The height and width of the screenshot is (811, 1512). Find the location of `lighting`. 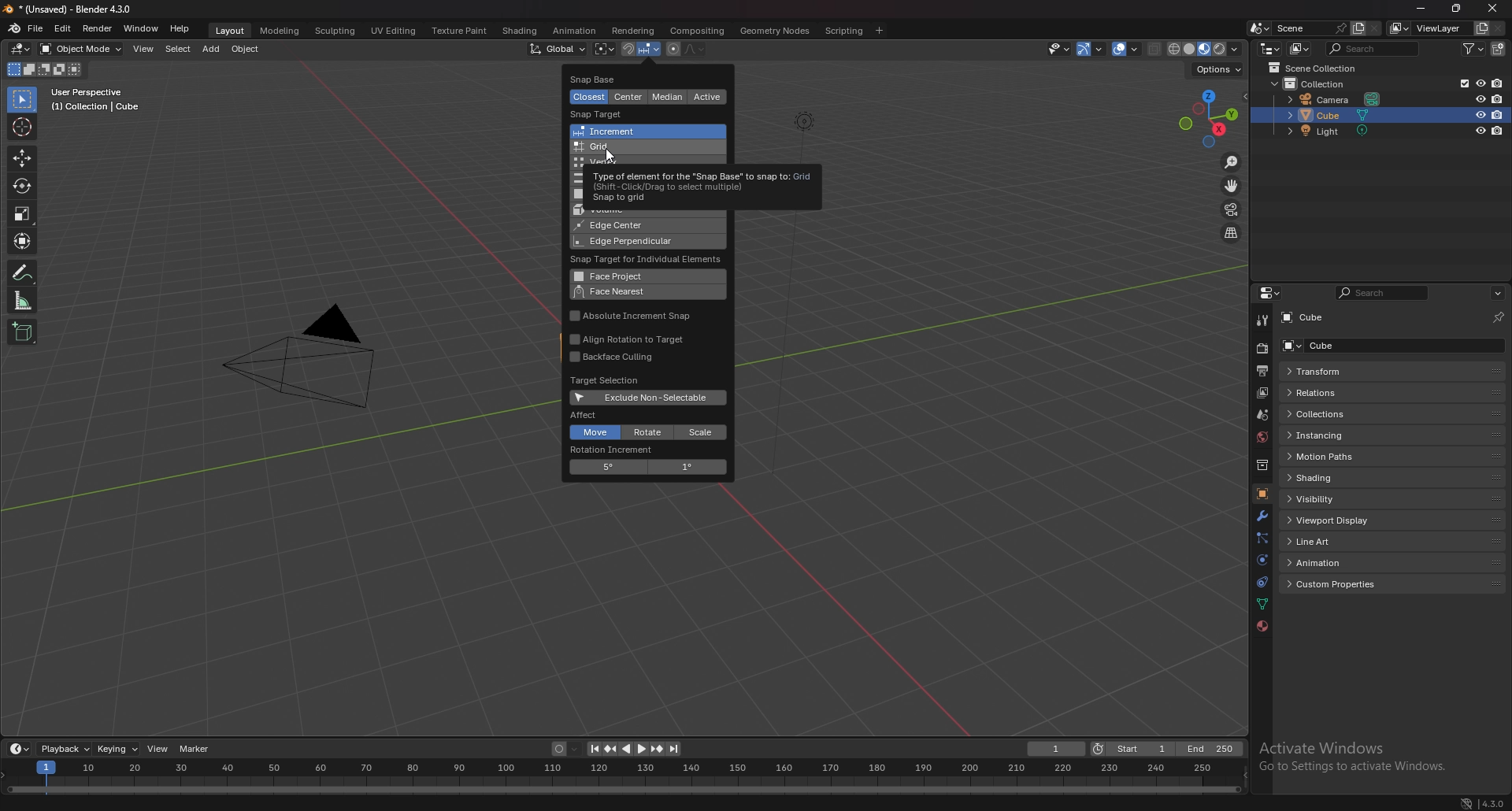

lighting is located at coordinates (801, 120).